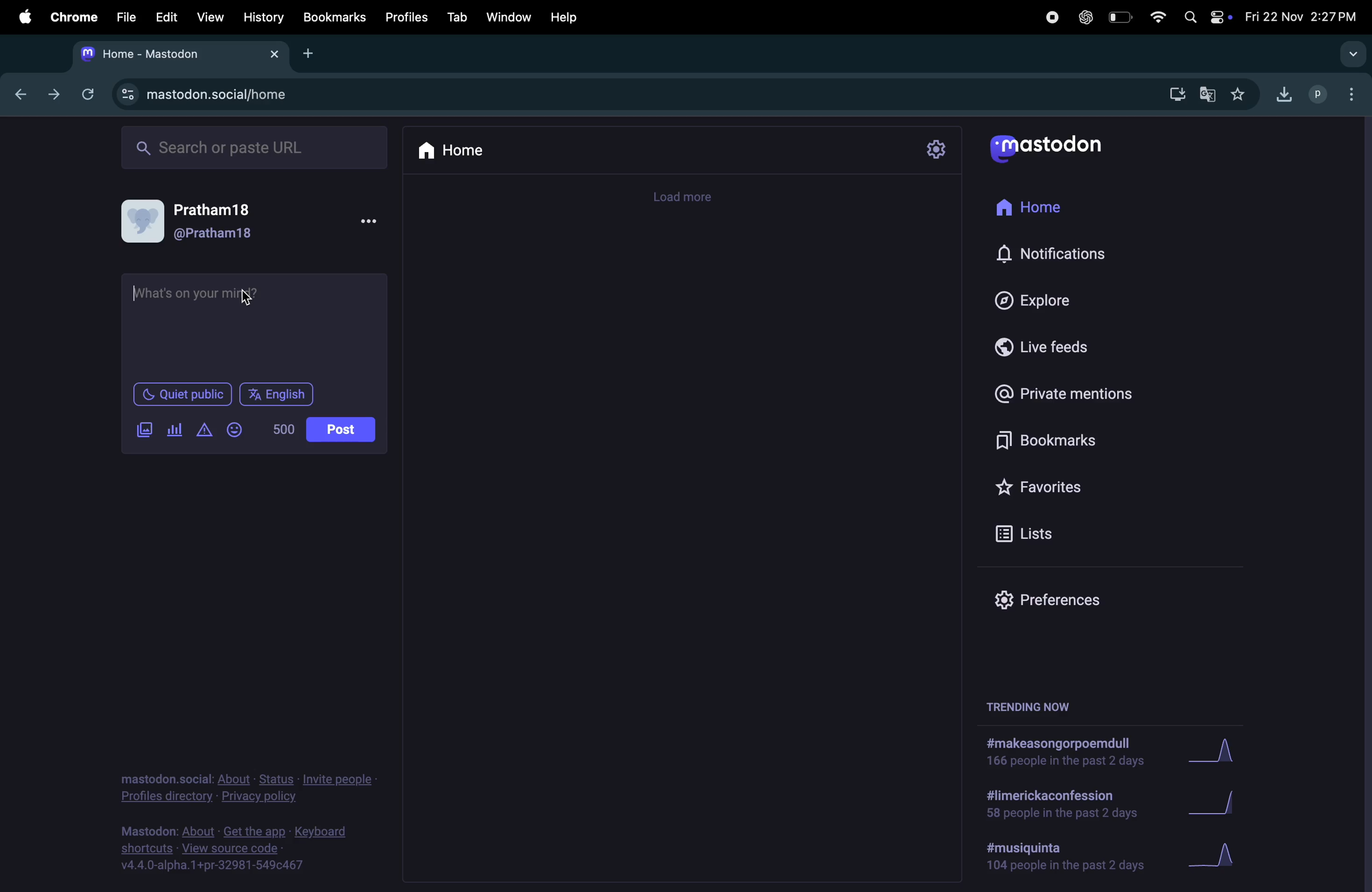 The height and width of the screenshot is (892, 1372). Describe the element at coordinates (1356, 96) in the screenshot. I see `options` at that location.